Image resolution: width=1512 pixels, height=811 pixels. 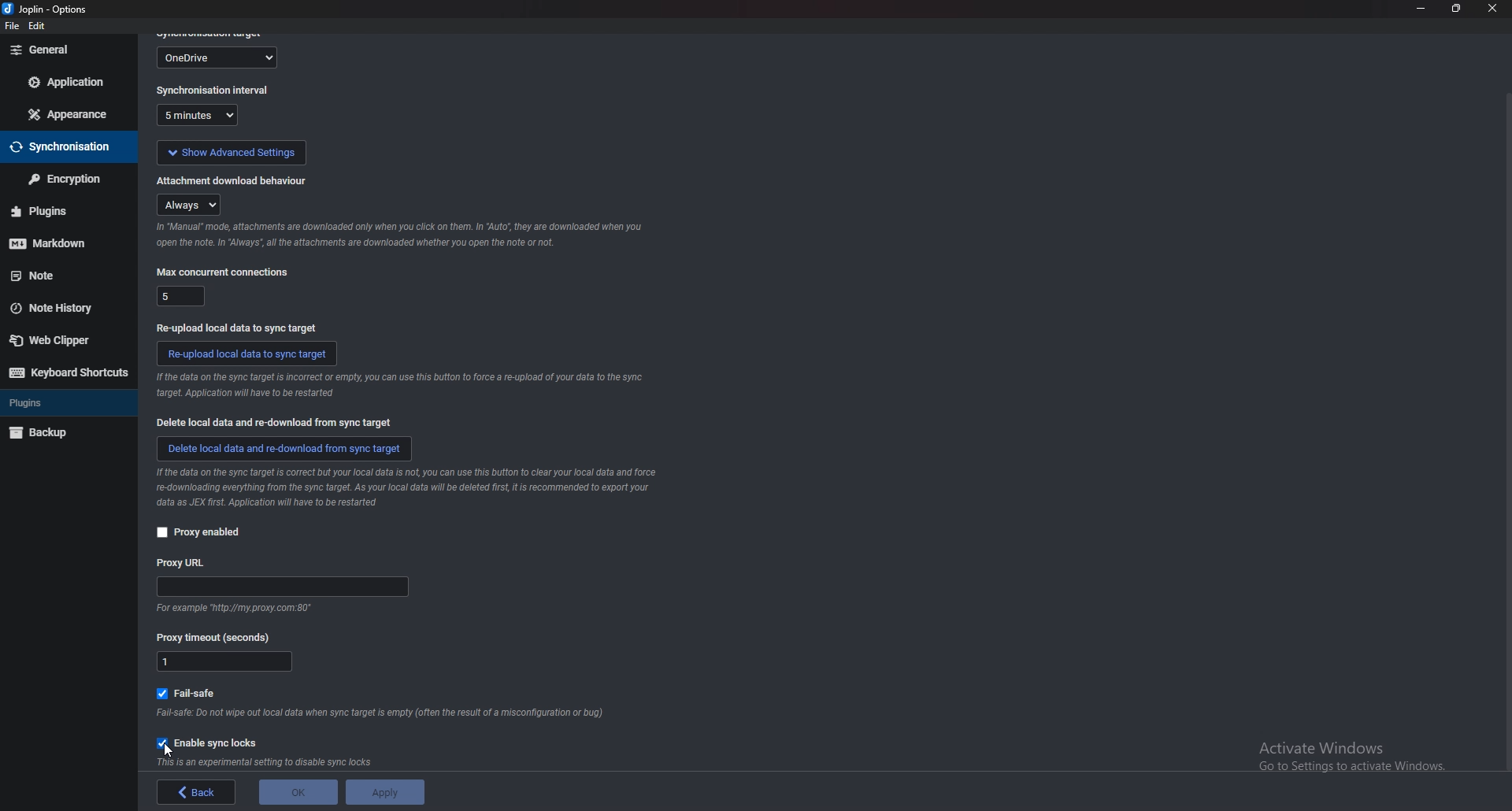 I want to click on note history, so click(x=60, y=308).